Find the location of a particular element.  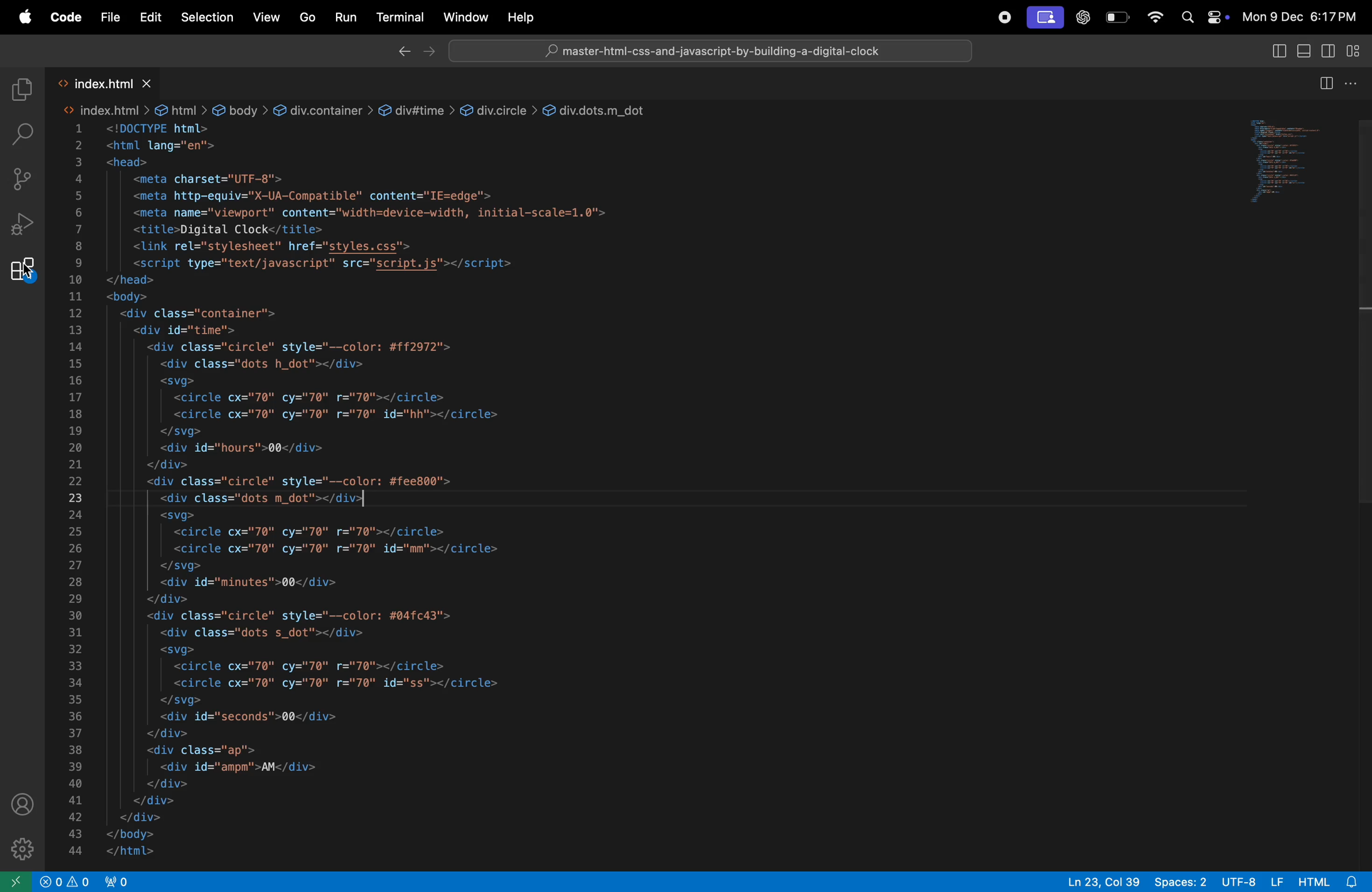

info is located at coordinates (65, 880).